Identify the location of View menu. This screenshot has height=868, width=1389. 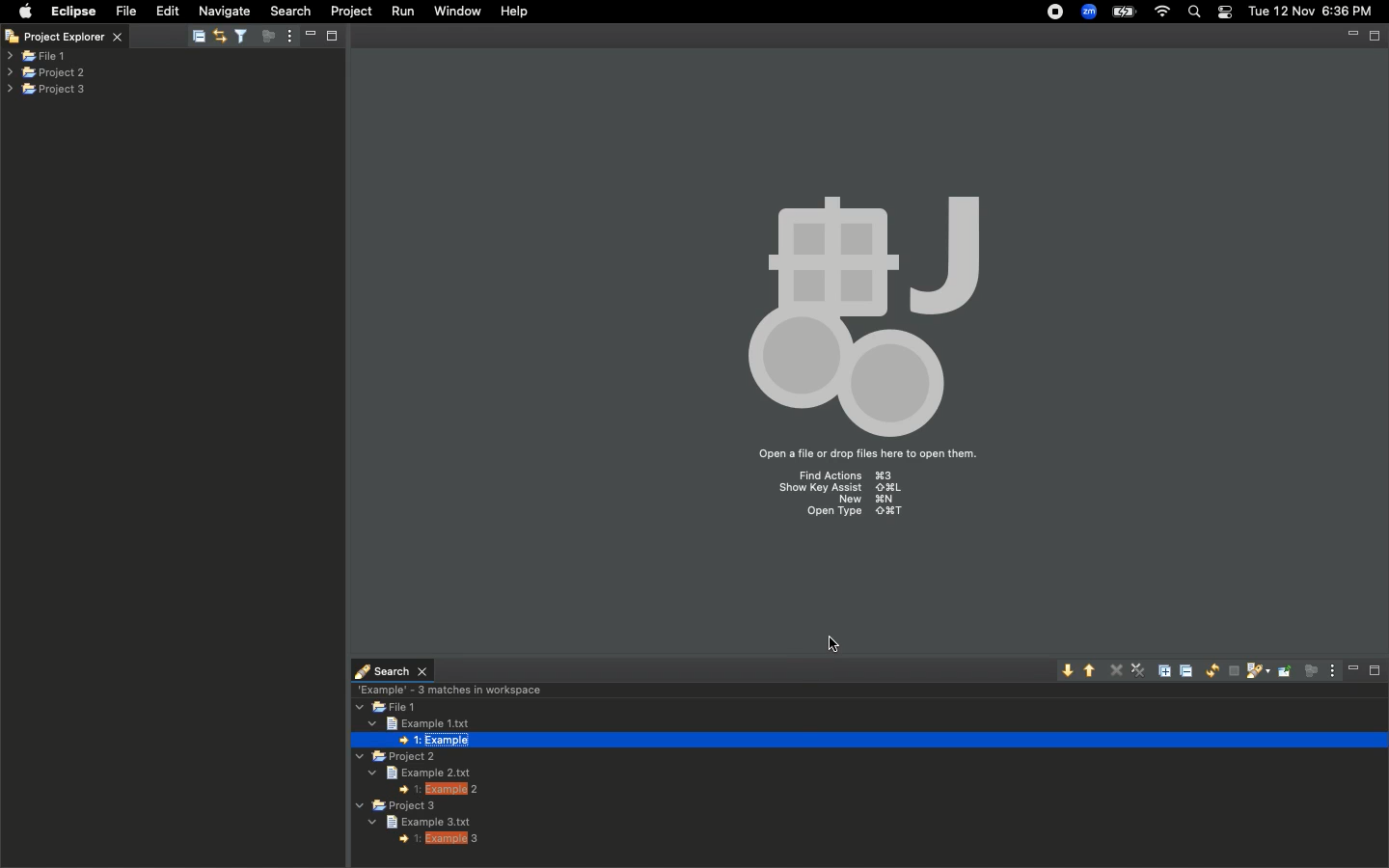
(288, 38).